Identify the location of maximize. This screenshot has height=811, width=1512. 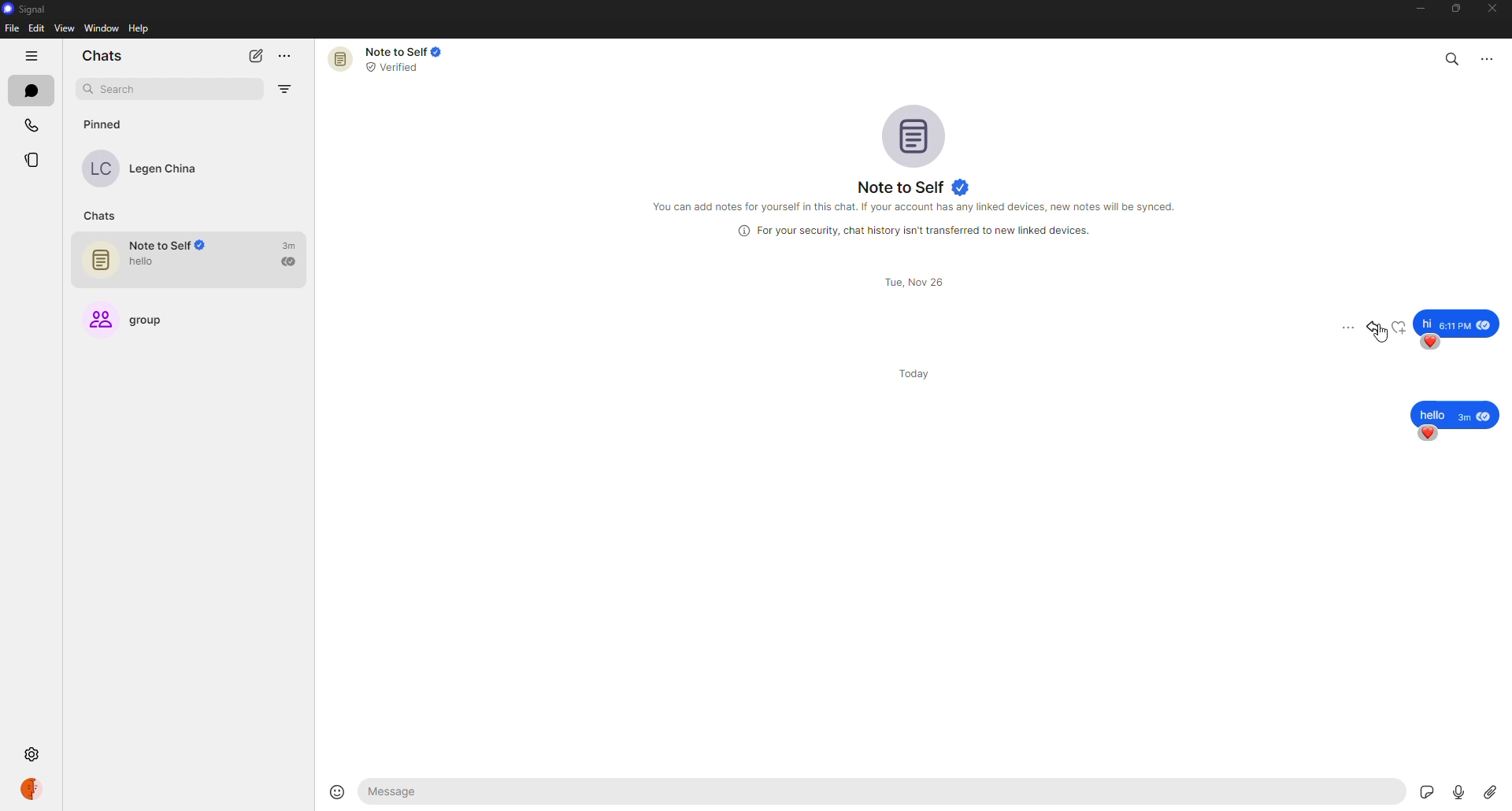
(1452, 10).